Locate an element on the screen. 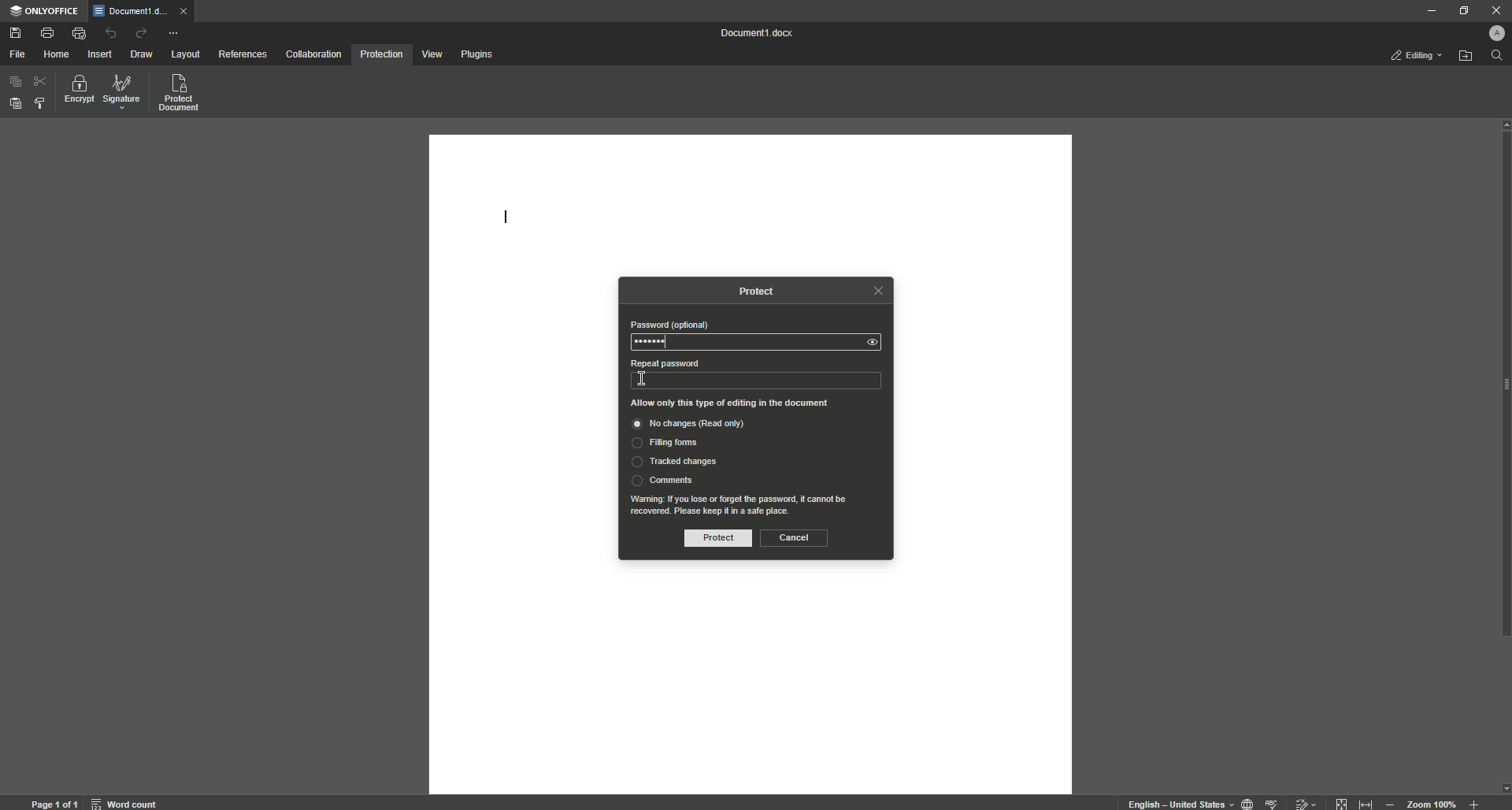 The width and height of the screenshot is (1512, 810). More Actions is located at coordinates (172, 32).